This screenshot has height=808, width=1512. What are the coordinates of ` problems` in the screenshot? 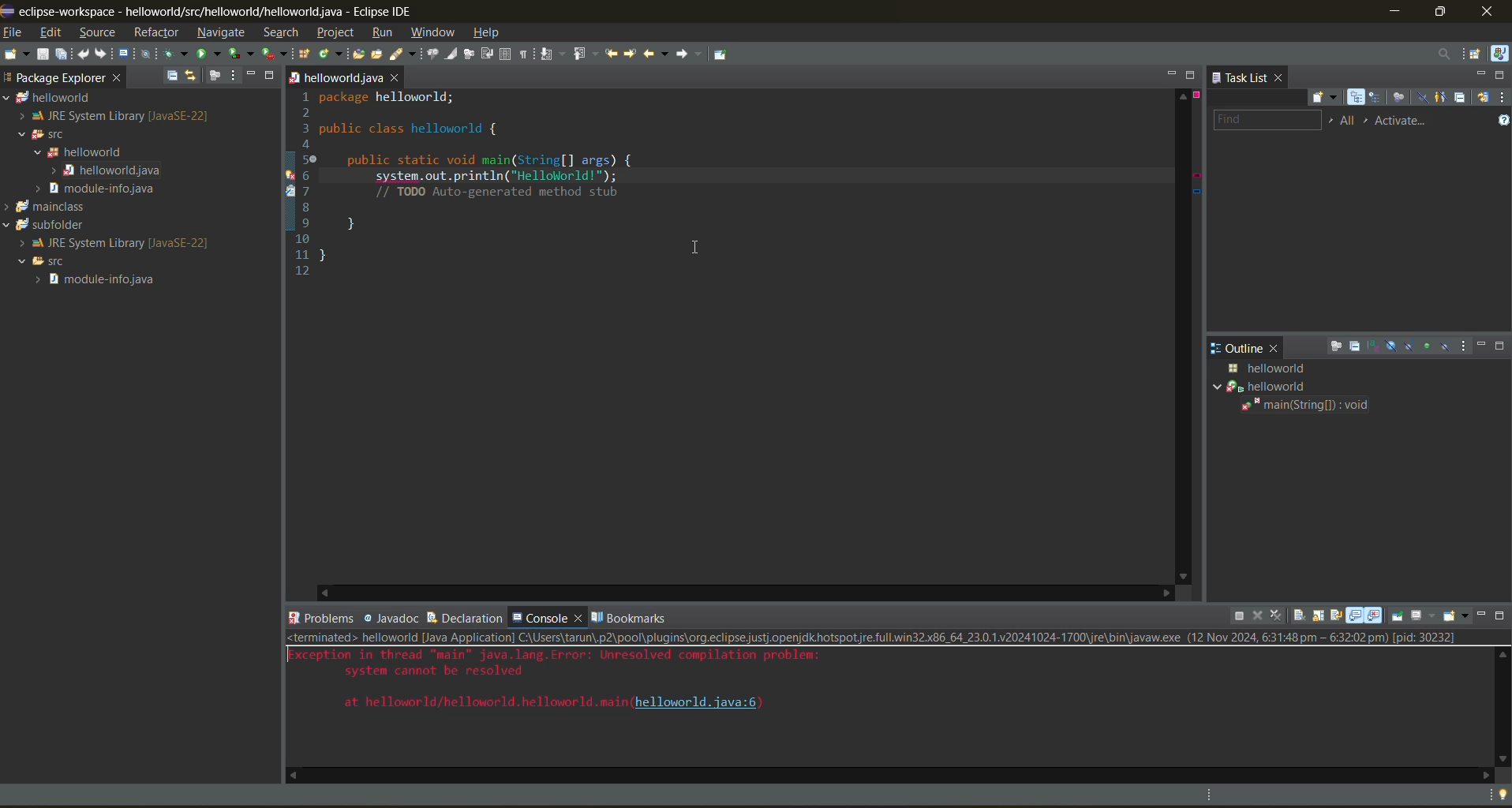 It's located at (323, 617).